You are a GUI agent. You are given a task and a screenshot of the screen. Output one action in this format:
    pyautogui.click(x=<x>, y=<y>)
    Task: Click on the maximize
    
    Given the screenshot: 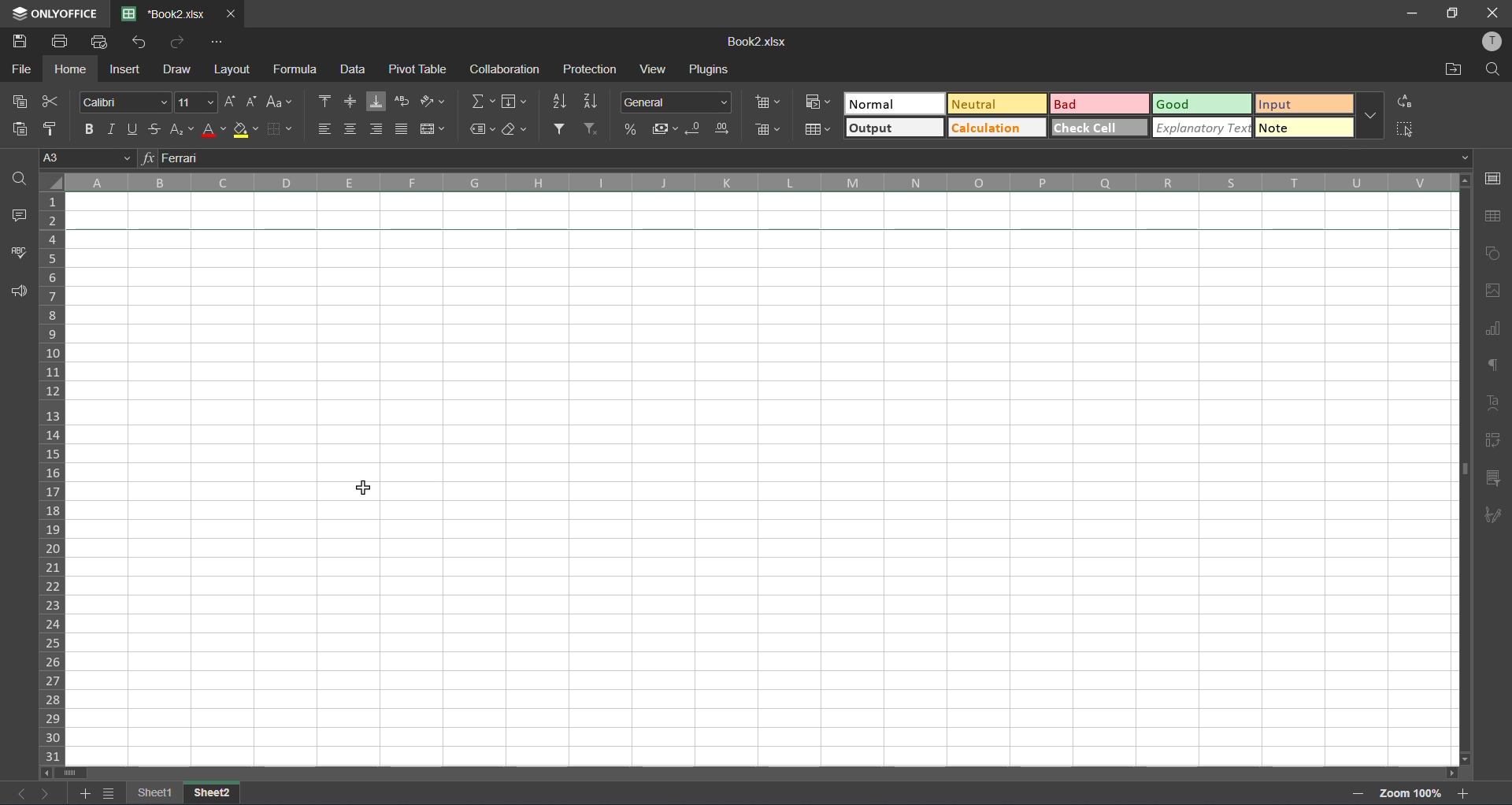 What is the action you would take?
    pyautogui.click(x=1453, y=14)
    